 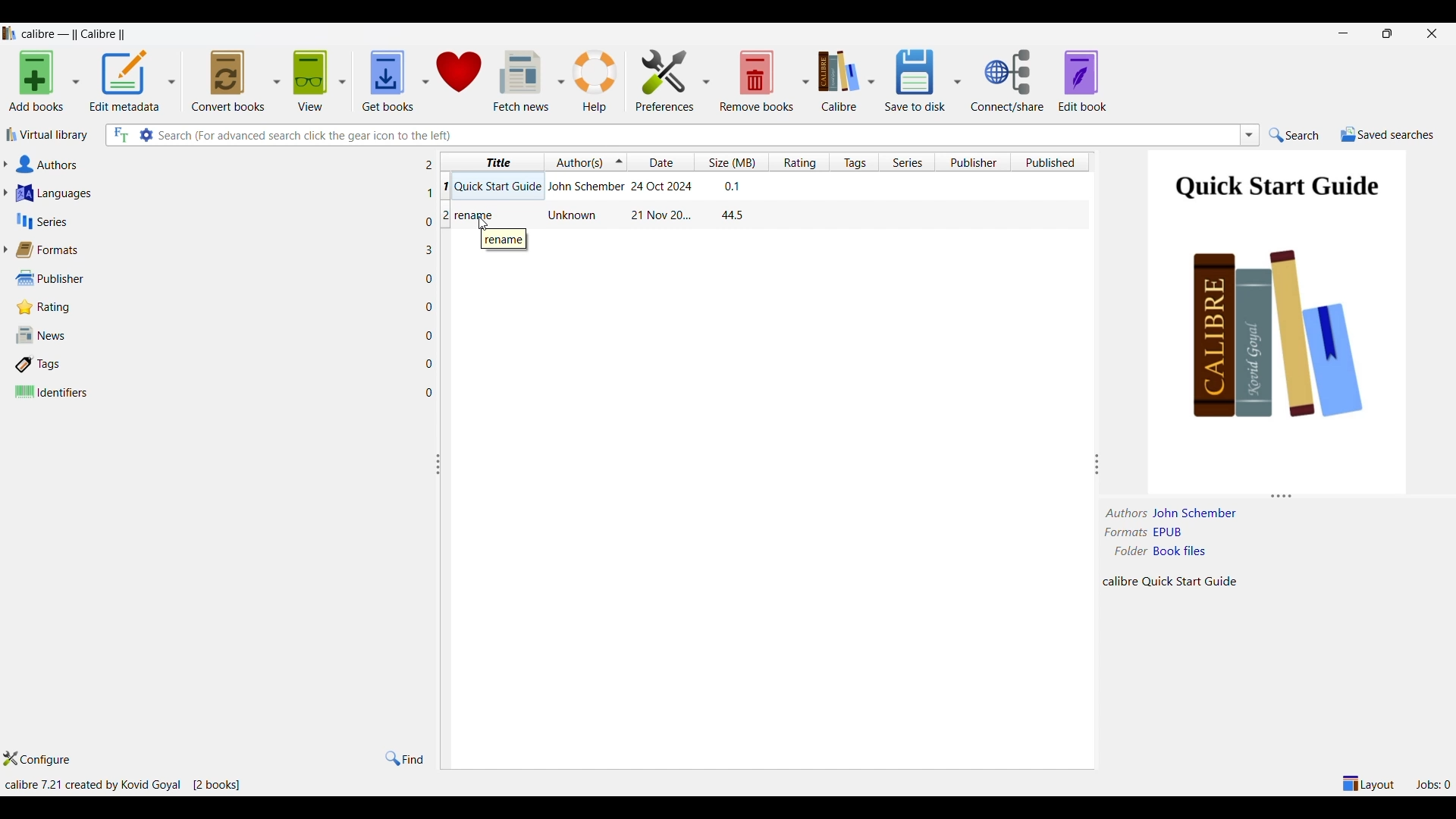 What do you see at coordinates (215, 221) in the screenshot?
I see `Series` at bounding box center [215, 221].